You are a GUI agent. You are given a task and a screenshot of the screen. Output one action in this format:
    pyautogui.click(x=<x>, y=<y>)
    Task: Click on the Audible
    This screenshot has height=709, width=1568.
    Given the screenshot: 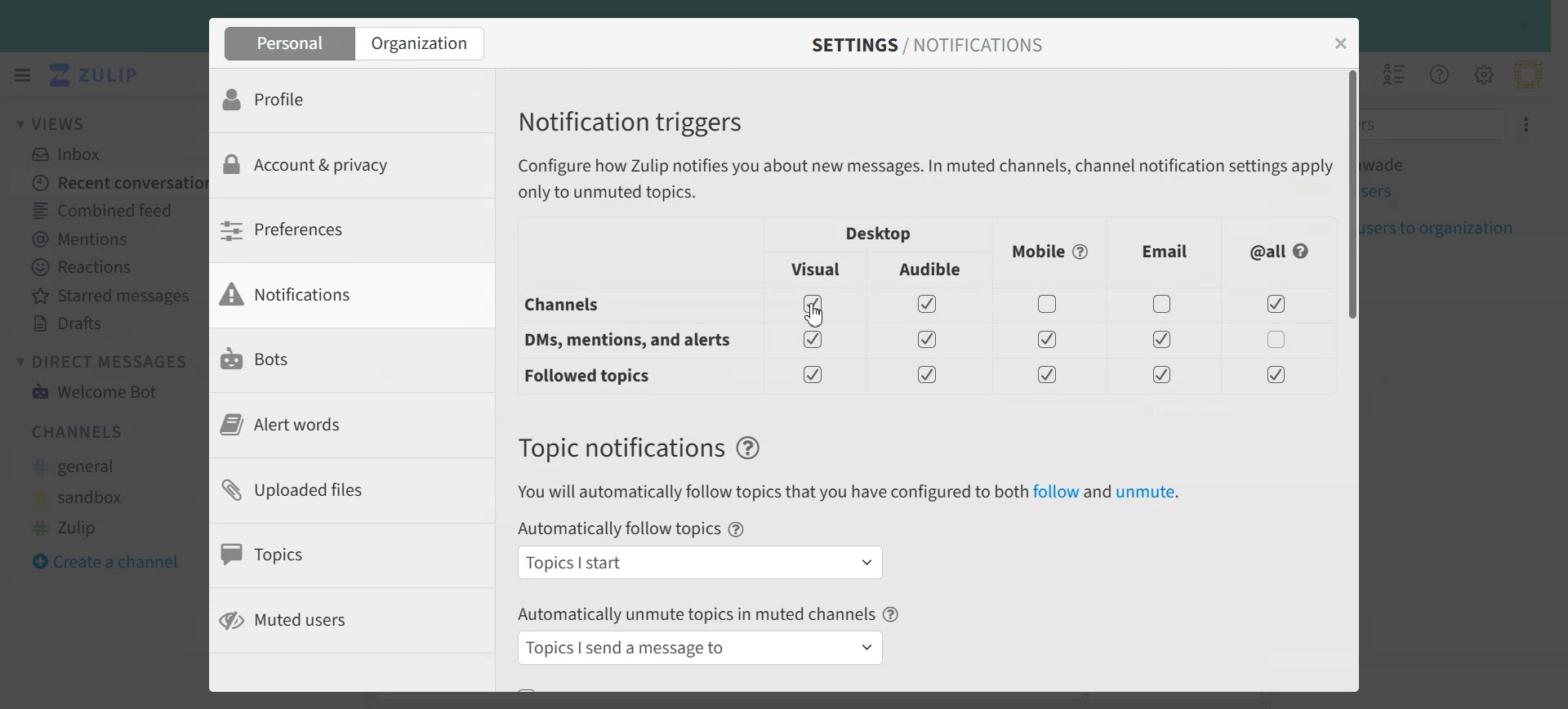 What is the action you would take?
    pyautogui.click(x=932, y=270)
    